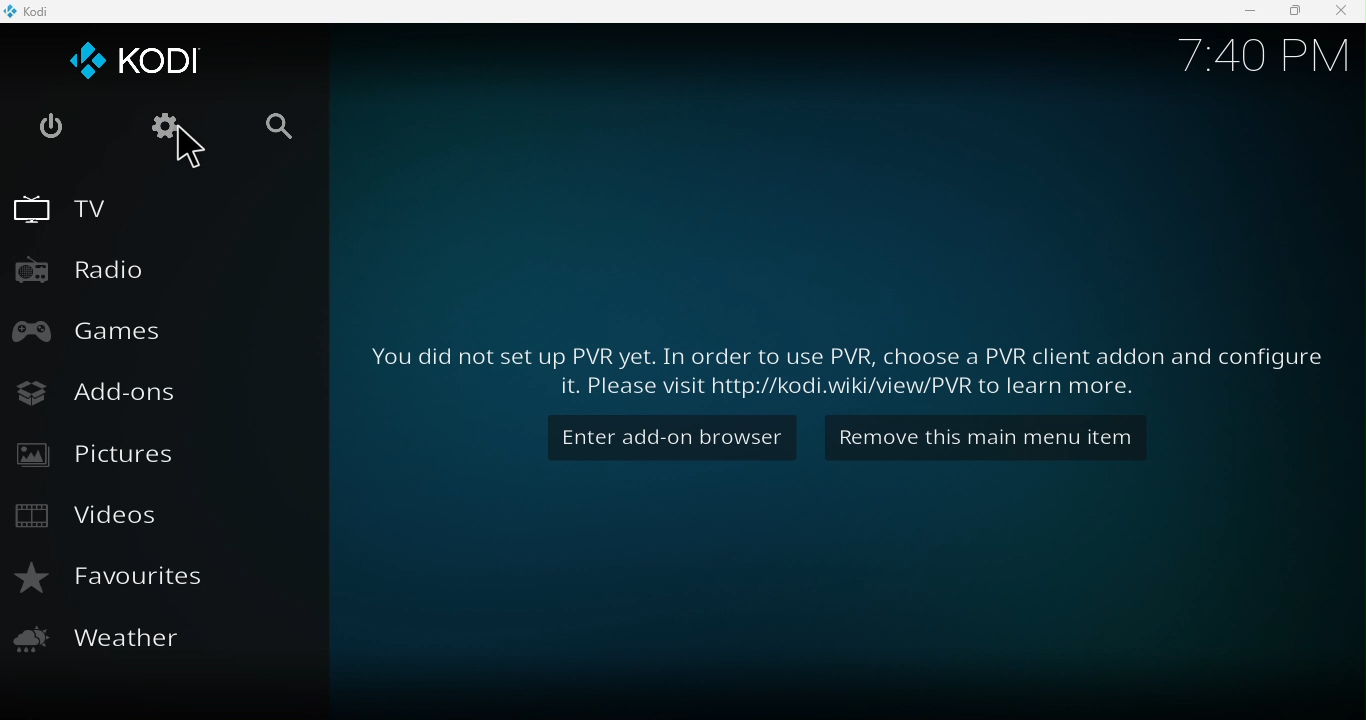 This screenshot has width=1366, height=720. I want to click on Time, so click(1260, 50).